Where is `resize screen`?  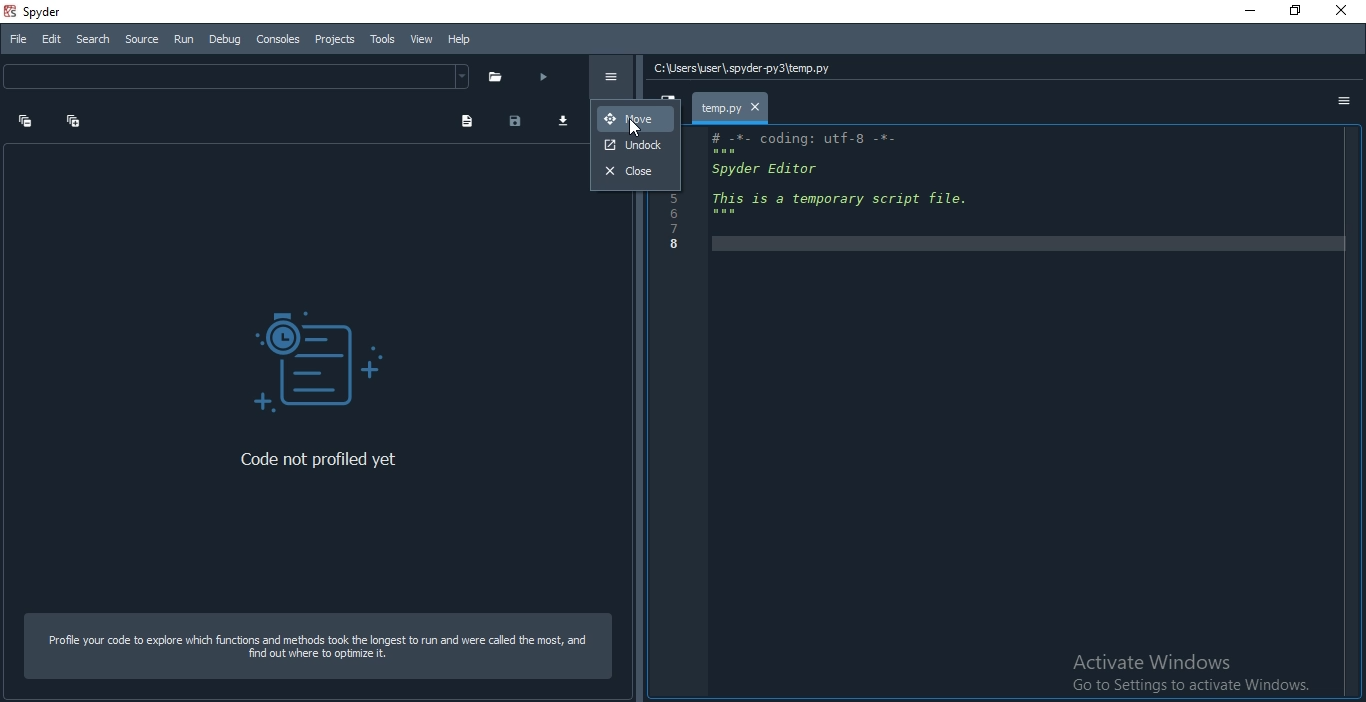
resize screen is located at coordinates (1293, 11).